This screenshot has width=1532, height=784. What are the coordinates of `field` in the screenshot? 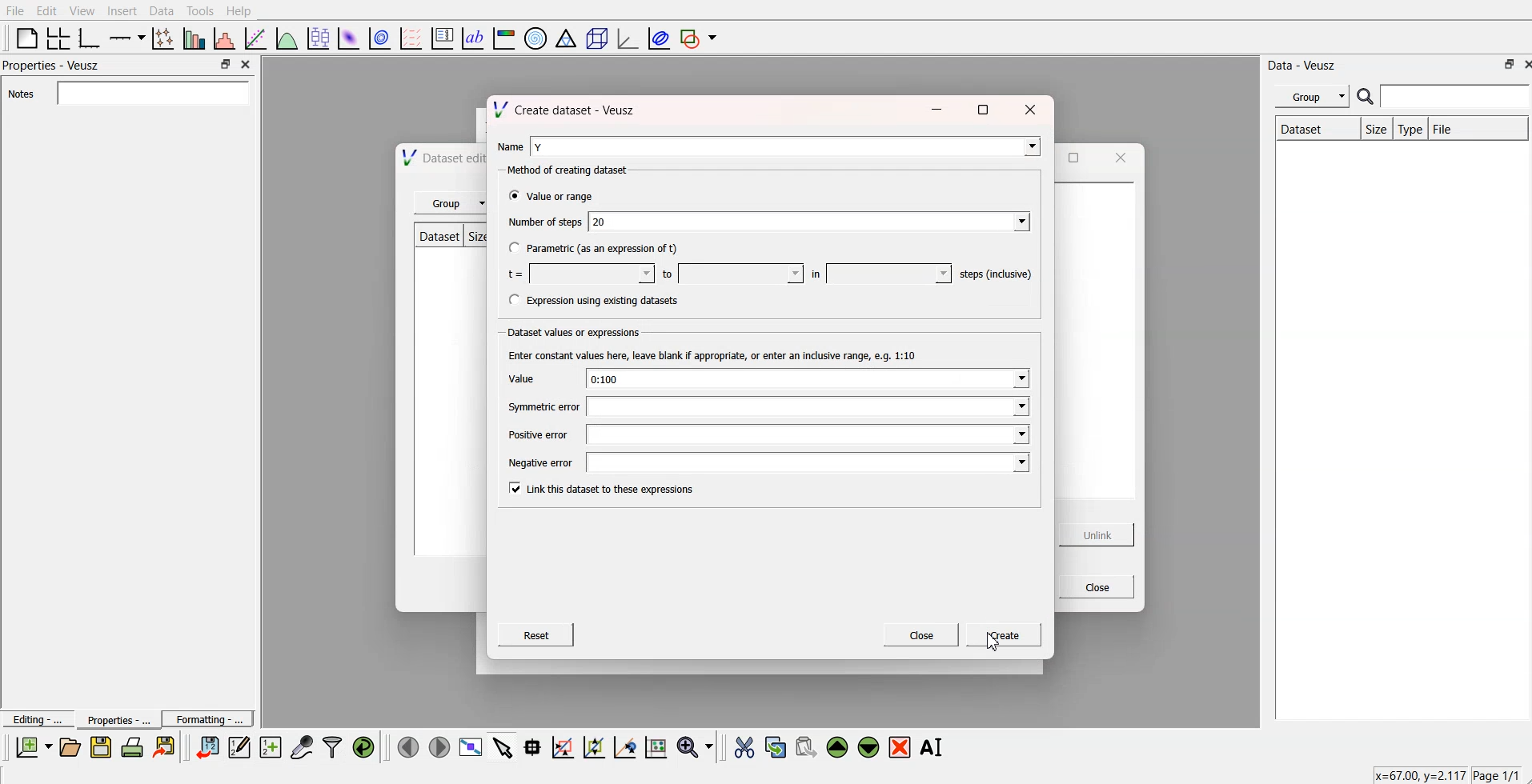 It's located at (809, 434).